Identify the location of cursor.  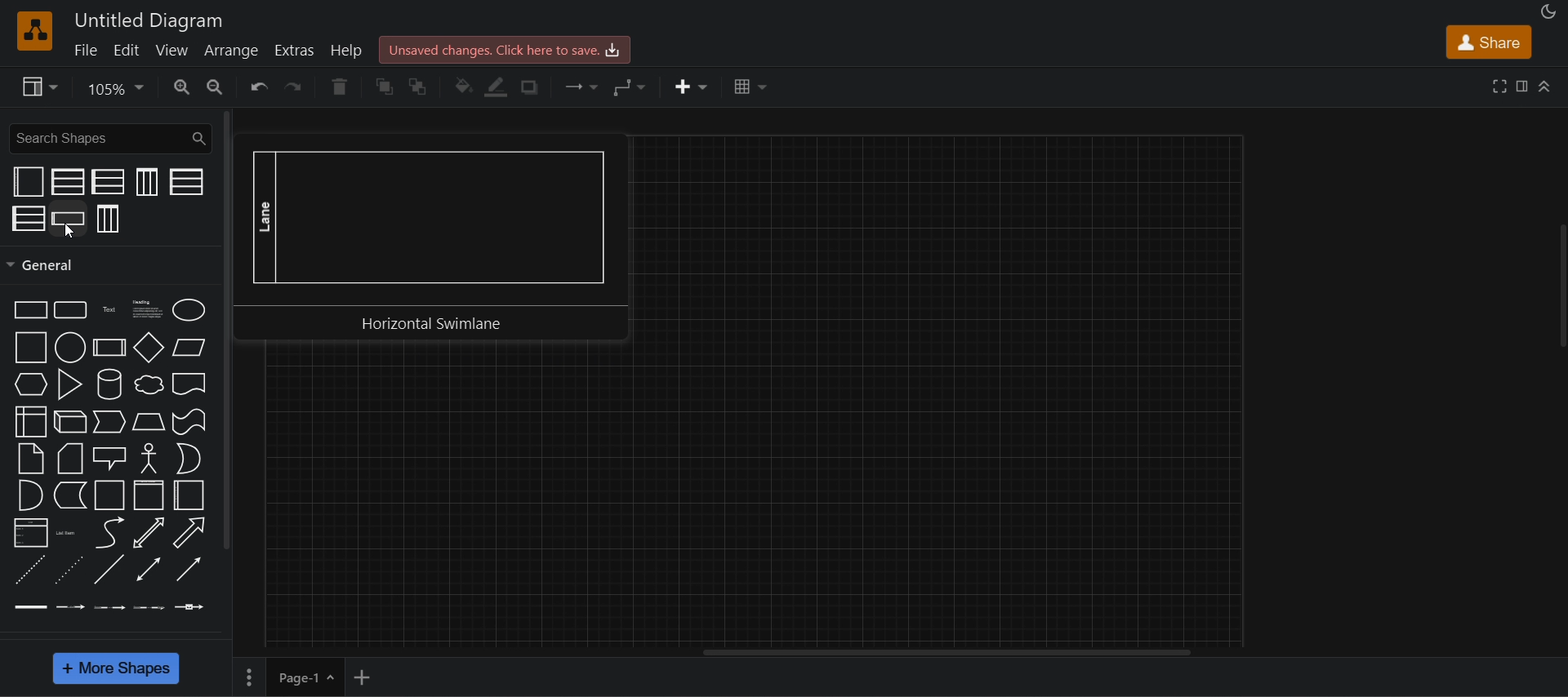
(68, 233).